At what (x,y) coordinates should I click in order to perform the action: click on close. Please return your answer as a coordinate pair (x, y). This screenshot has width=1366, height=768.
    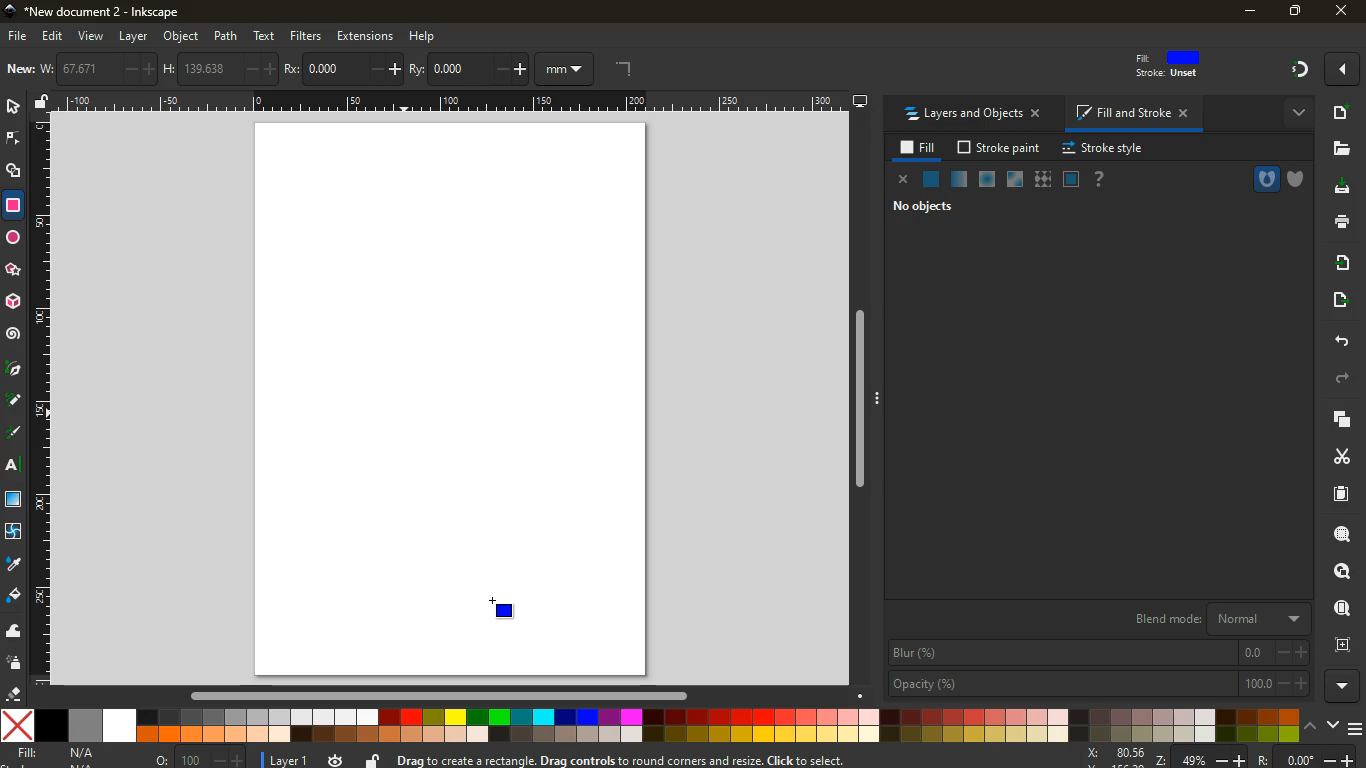
    Looking at the image, I should click on (905, 181).